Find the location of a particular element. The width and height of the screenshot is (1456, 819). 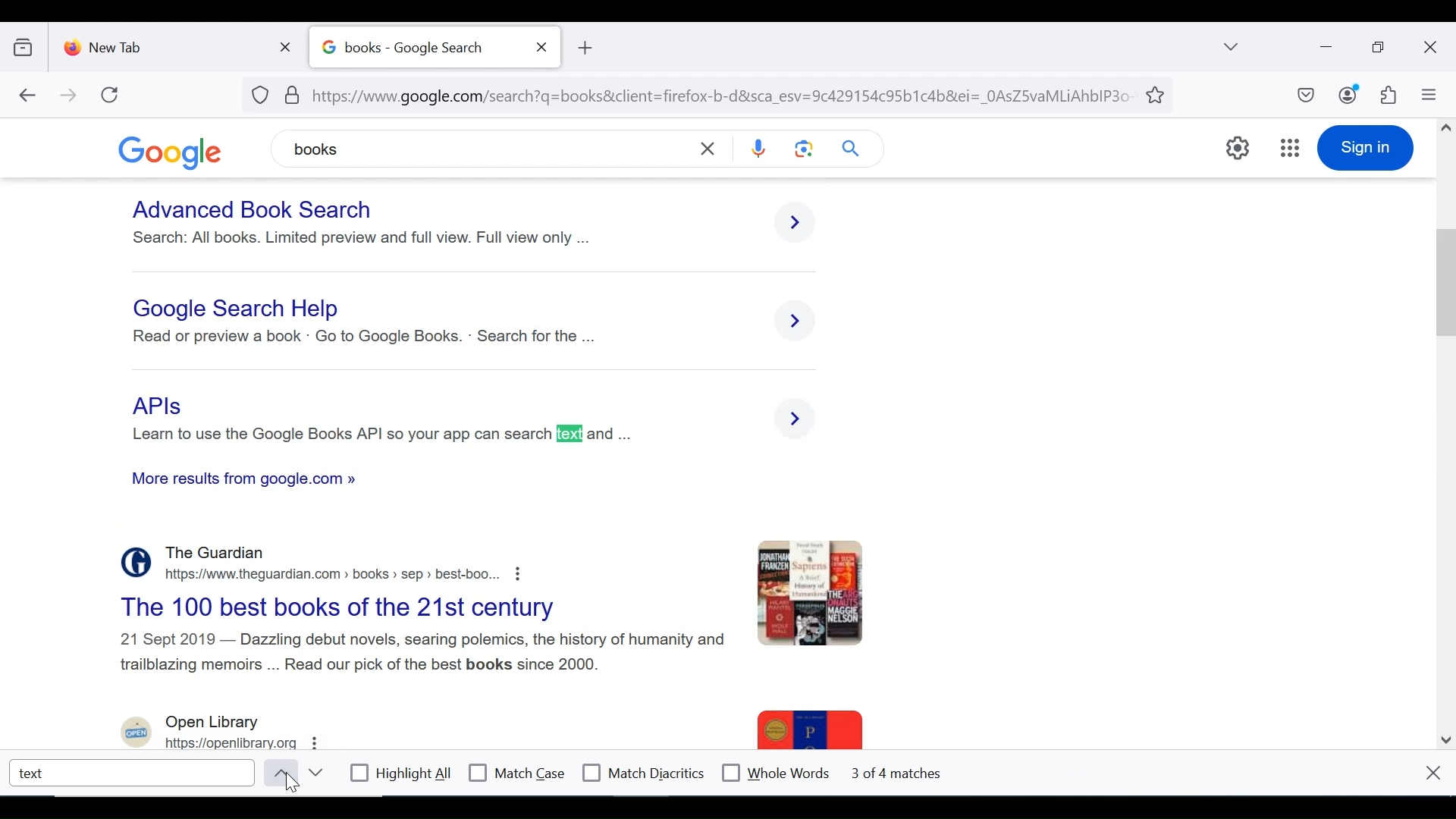

clear search is located at coordinates (710, 148).